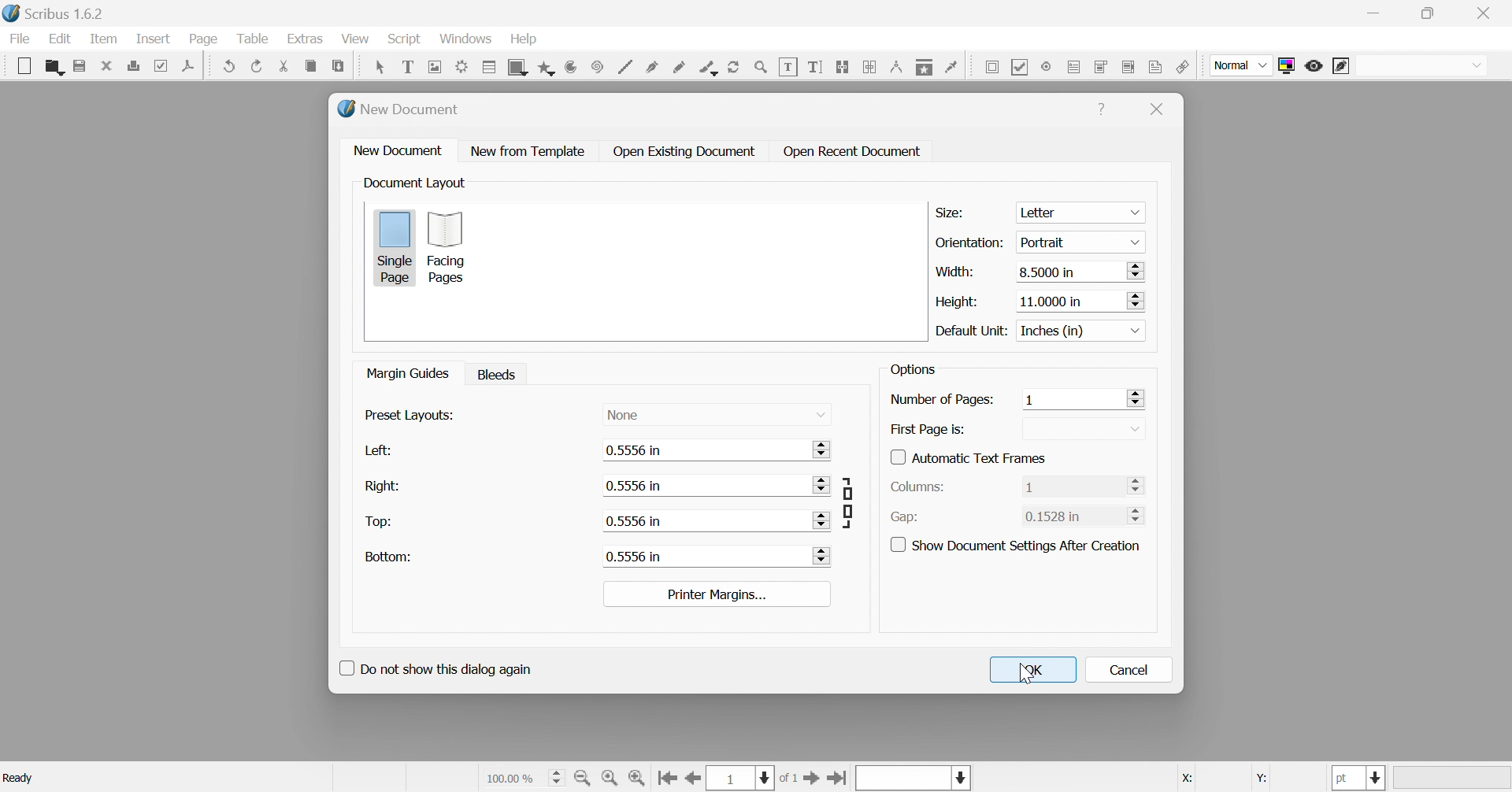 The height and width of the screenshot is (792, 1512). What do you see at coordinates (638, 777) in the screenshot?
I see `zoom in` at bounding box center [638, 777].